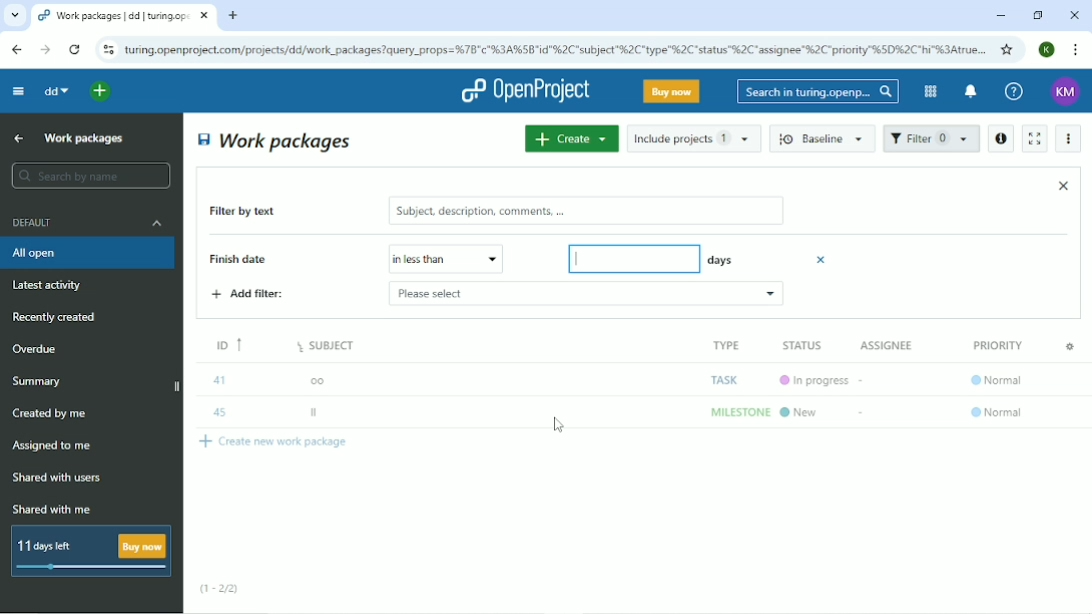  I want to click on Site address, so click(555, 48).